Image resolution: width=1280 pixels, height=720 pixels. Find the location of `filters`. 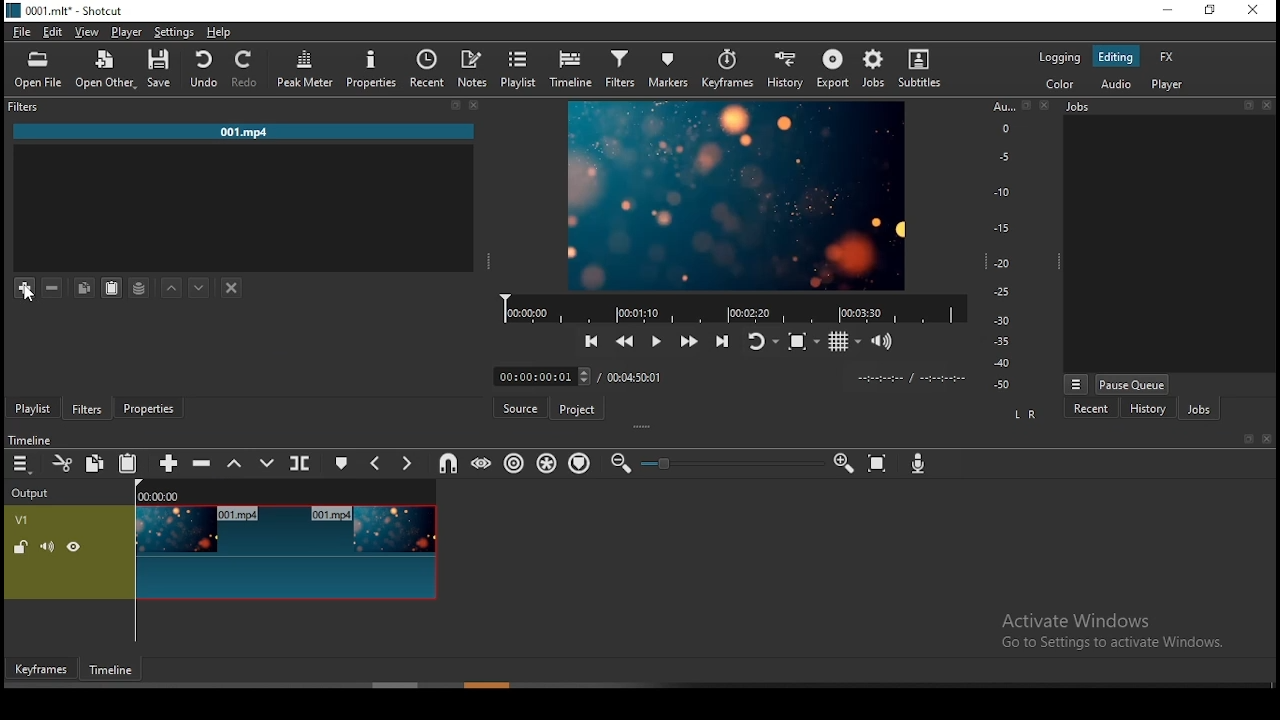

filters is located at coordinates (621, 69).